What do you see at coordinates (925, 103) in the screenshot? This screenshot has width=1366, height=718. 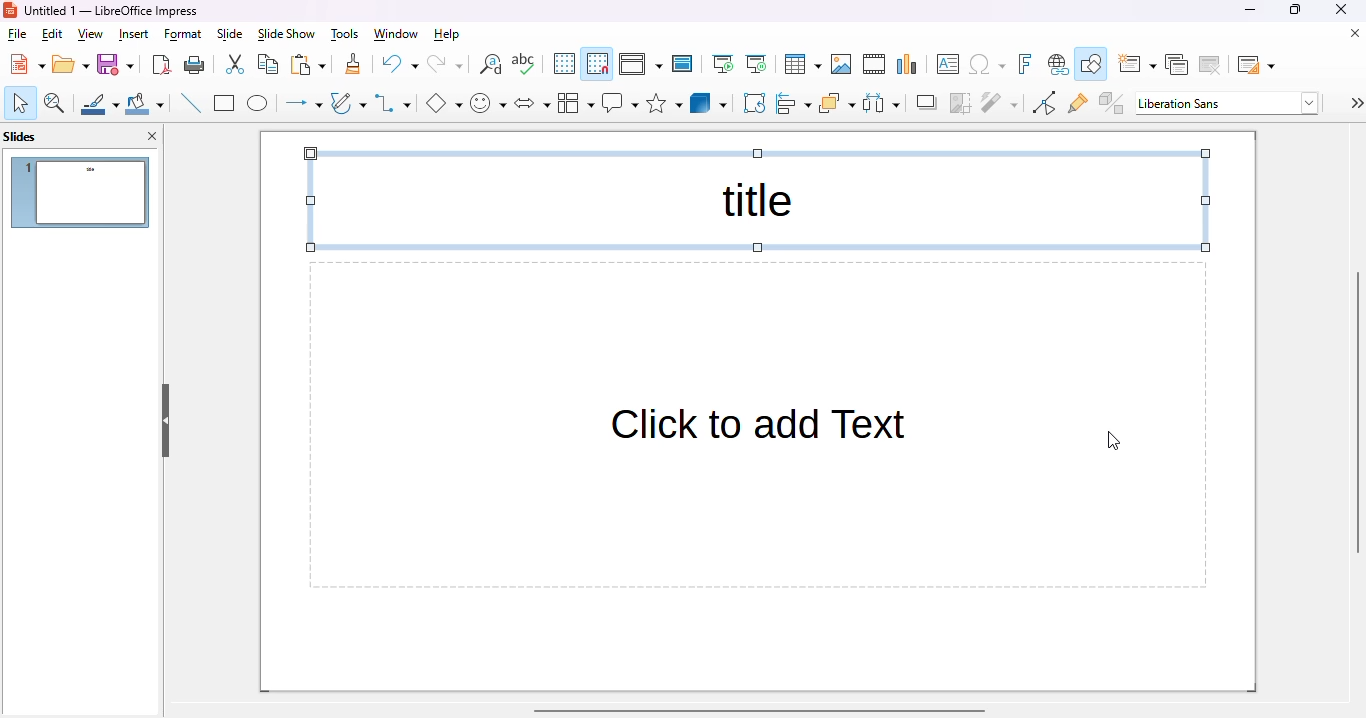 I see `shadow` at bounding box center [925, 103].